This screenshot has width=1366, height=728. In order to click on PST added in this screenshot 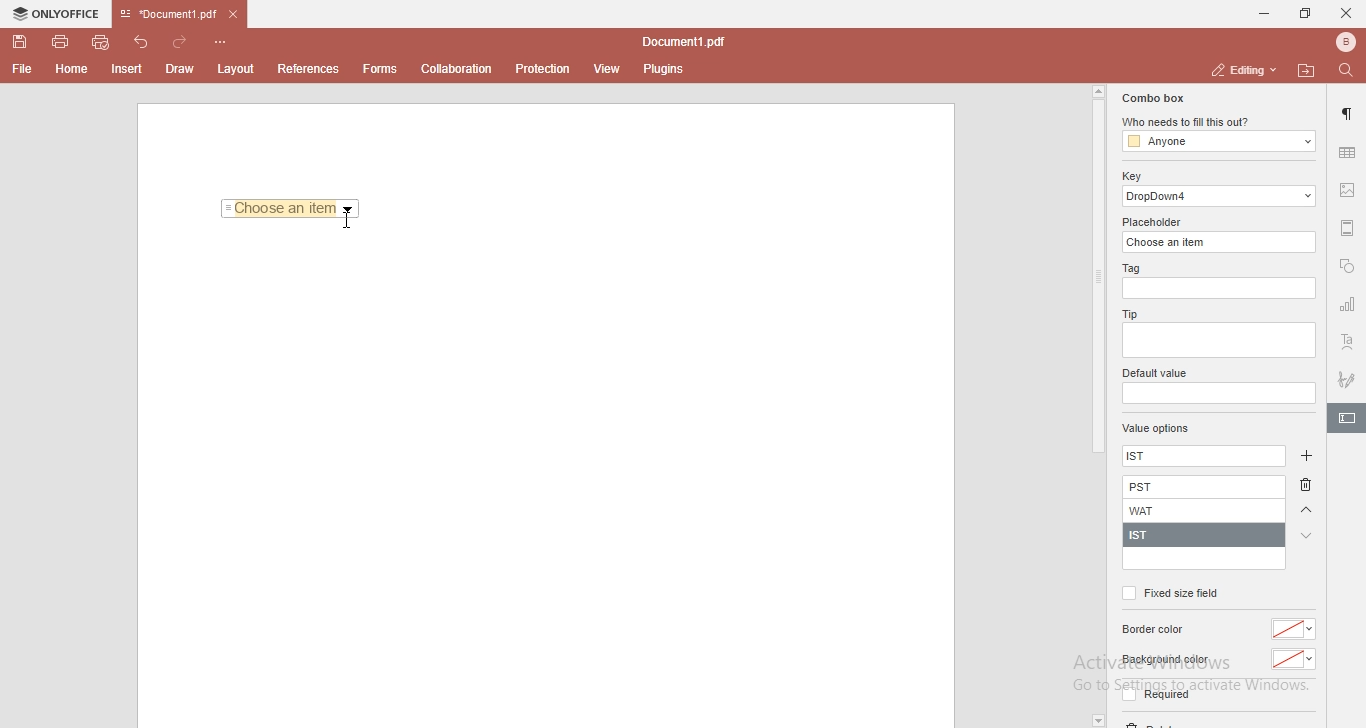, I will do `click(1208, 488)`.